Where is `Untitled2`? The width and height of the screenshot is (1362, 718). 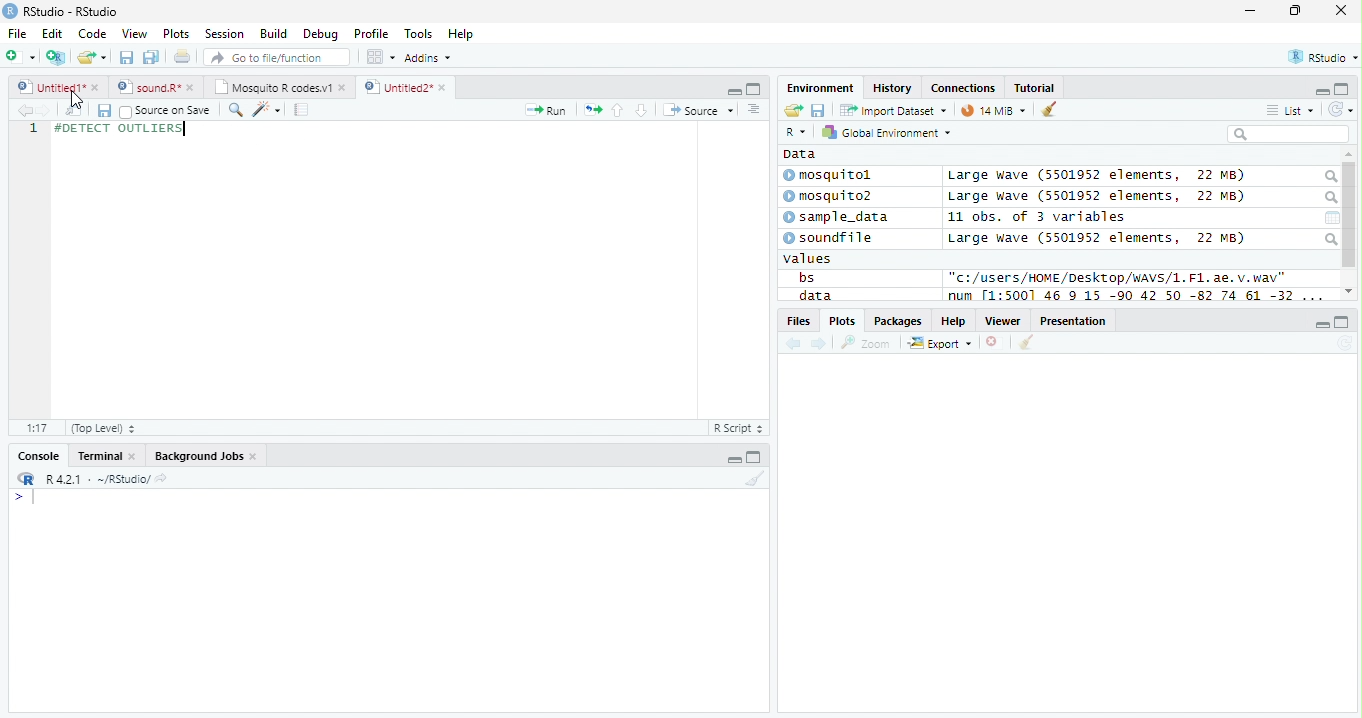
Untitled2 is located at coordinates (405, 88).